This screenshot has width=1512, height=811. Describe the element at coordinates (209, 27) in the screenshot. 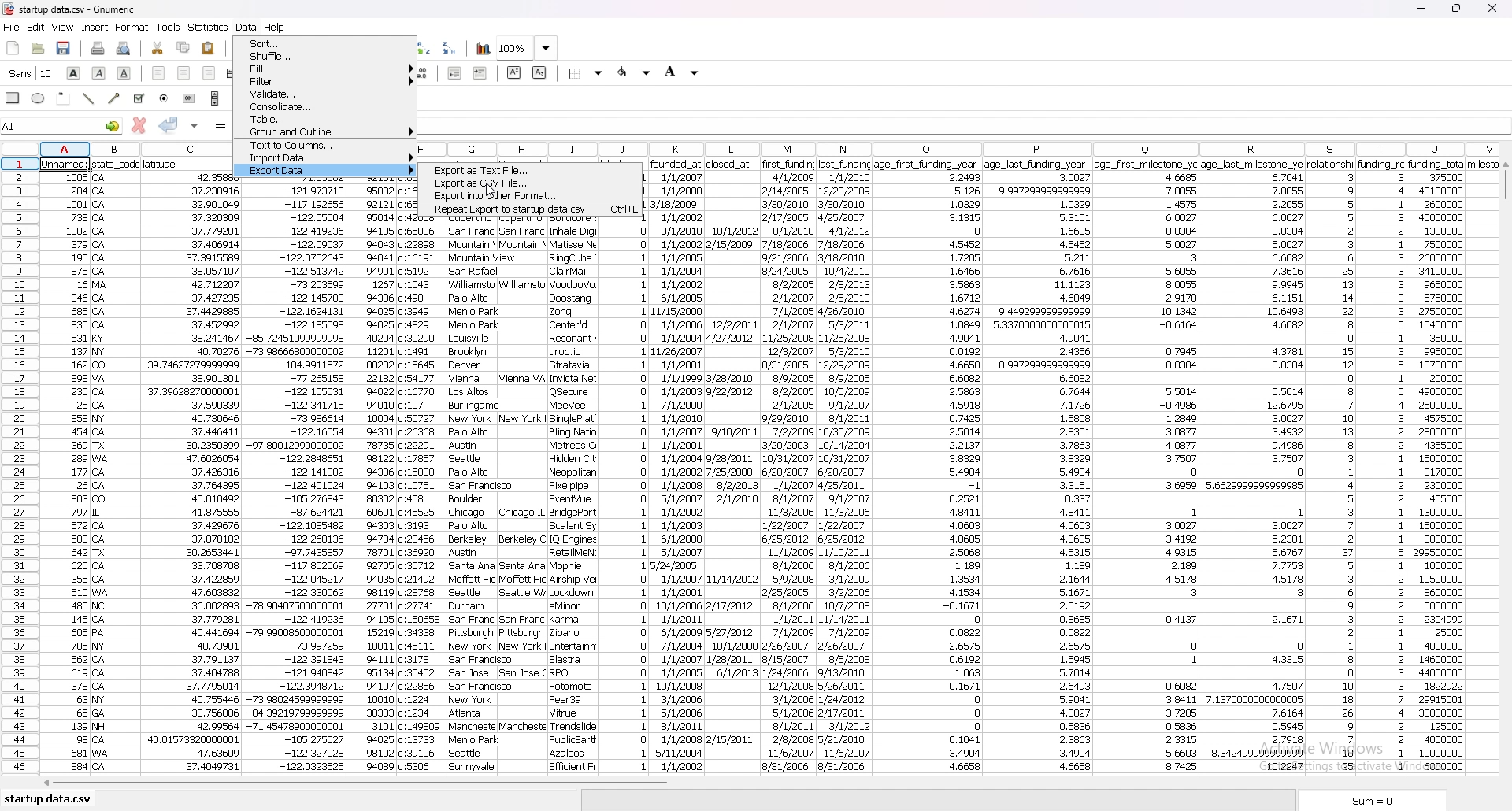

I see `STATISTICS` at that location.